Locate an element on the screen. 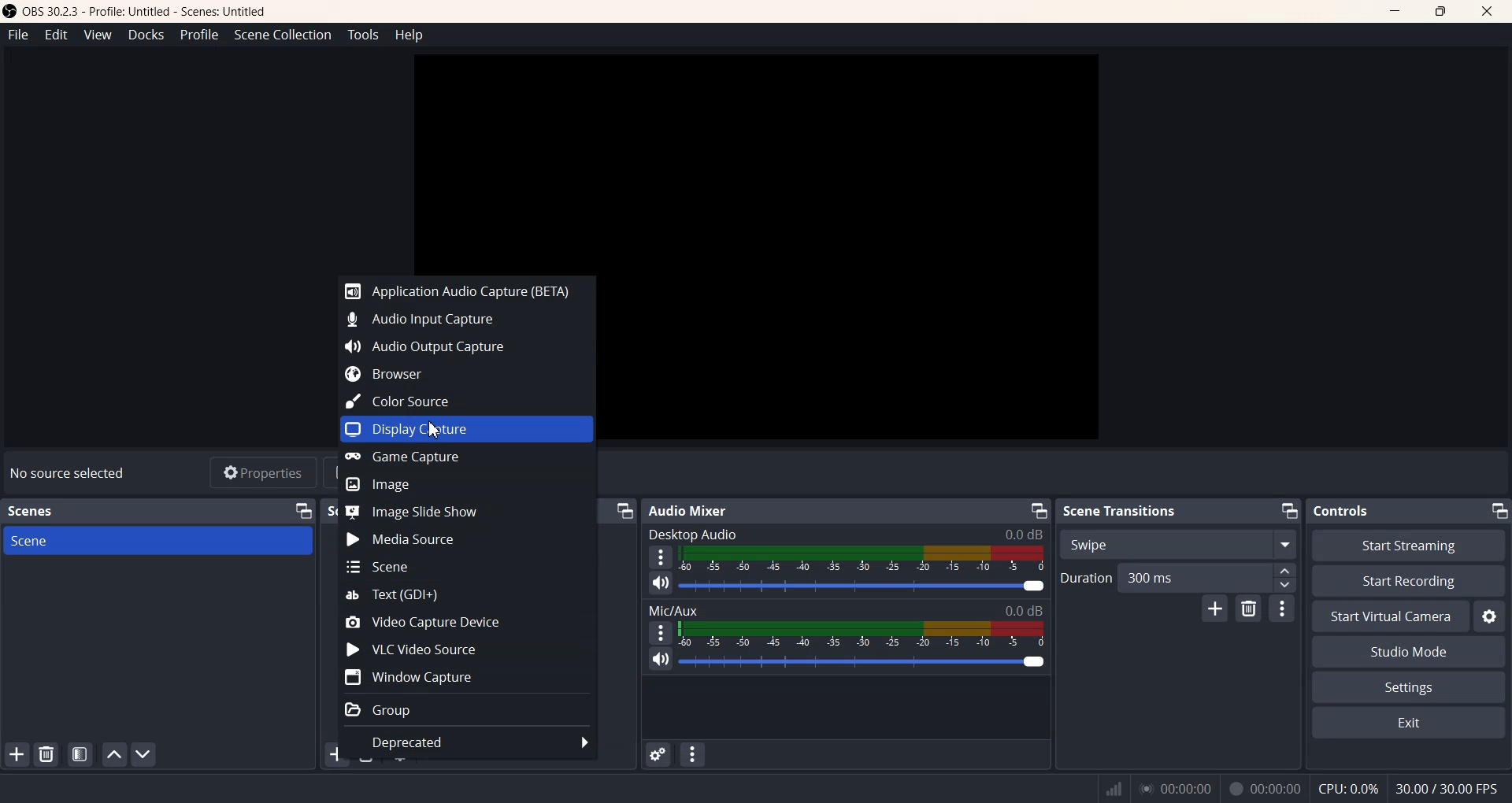 The image size is (1512, 803). Move scene Up is located at coordinates (114, 755).